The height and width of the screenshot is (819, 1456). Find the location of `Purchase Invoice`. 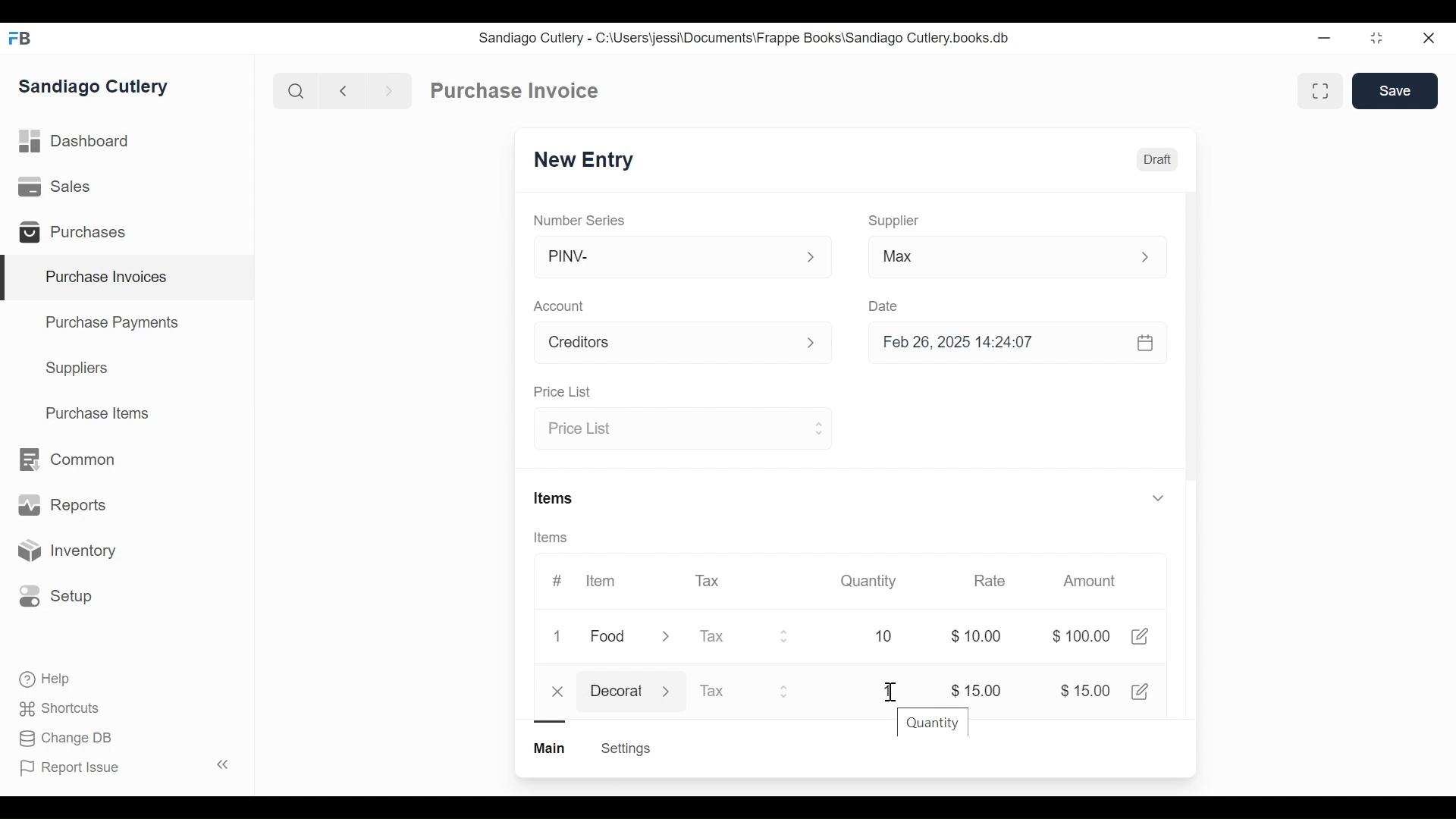

Purchase Invoice is located at coordinates (516, 91).